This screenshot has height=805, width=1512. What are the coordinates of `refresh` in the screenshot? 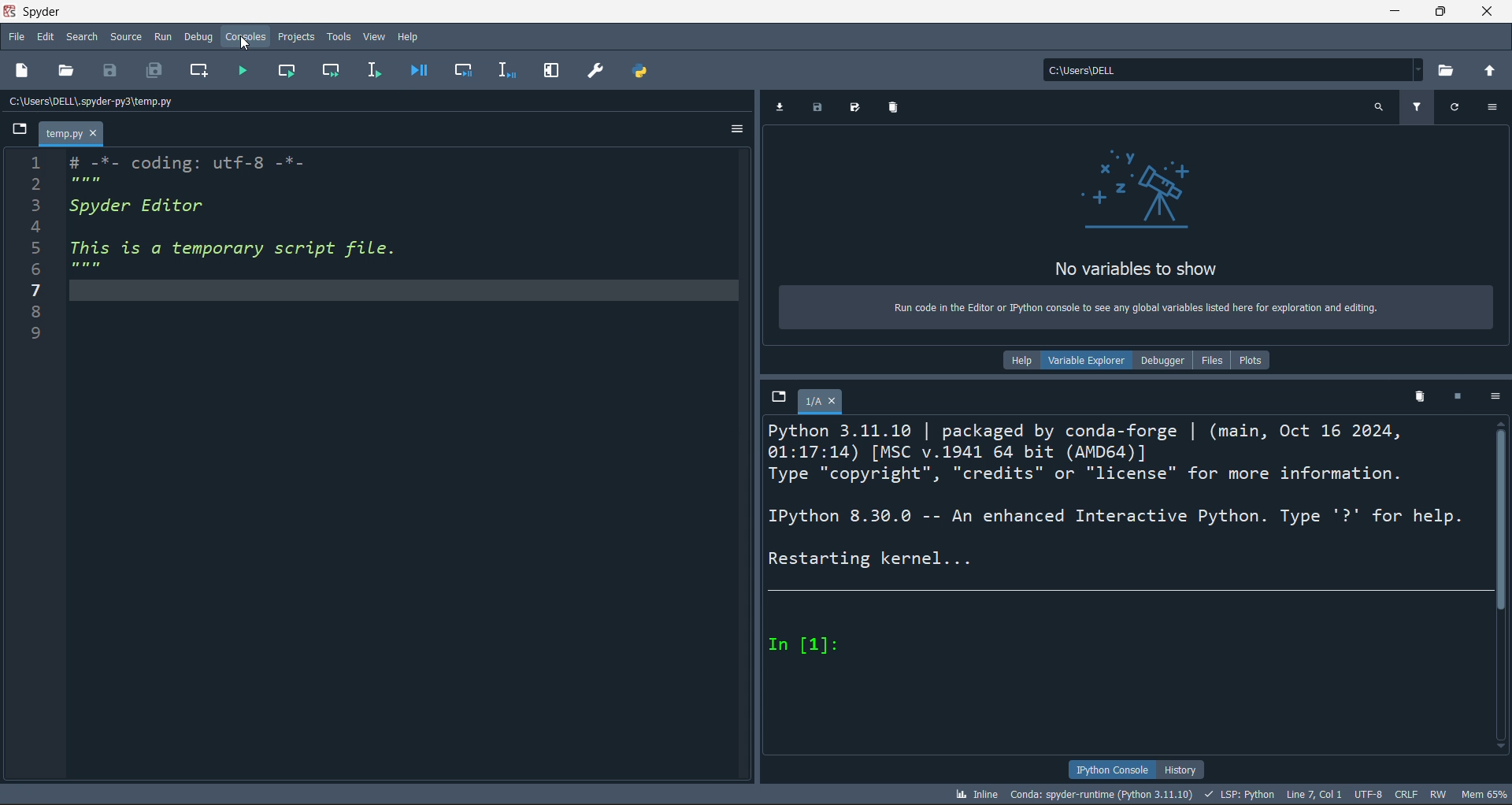 It's located at (1457, 108).